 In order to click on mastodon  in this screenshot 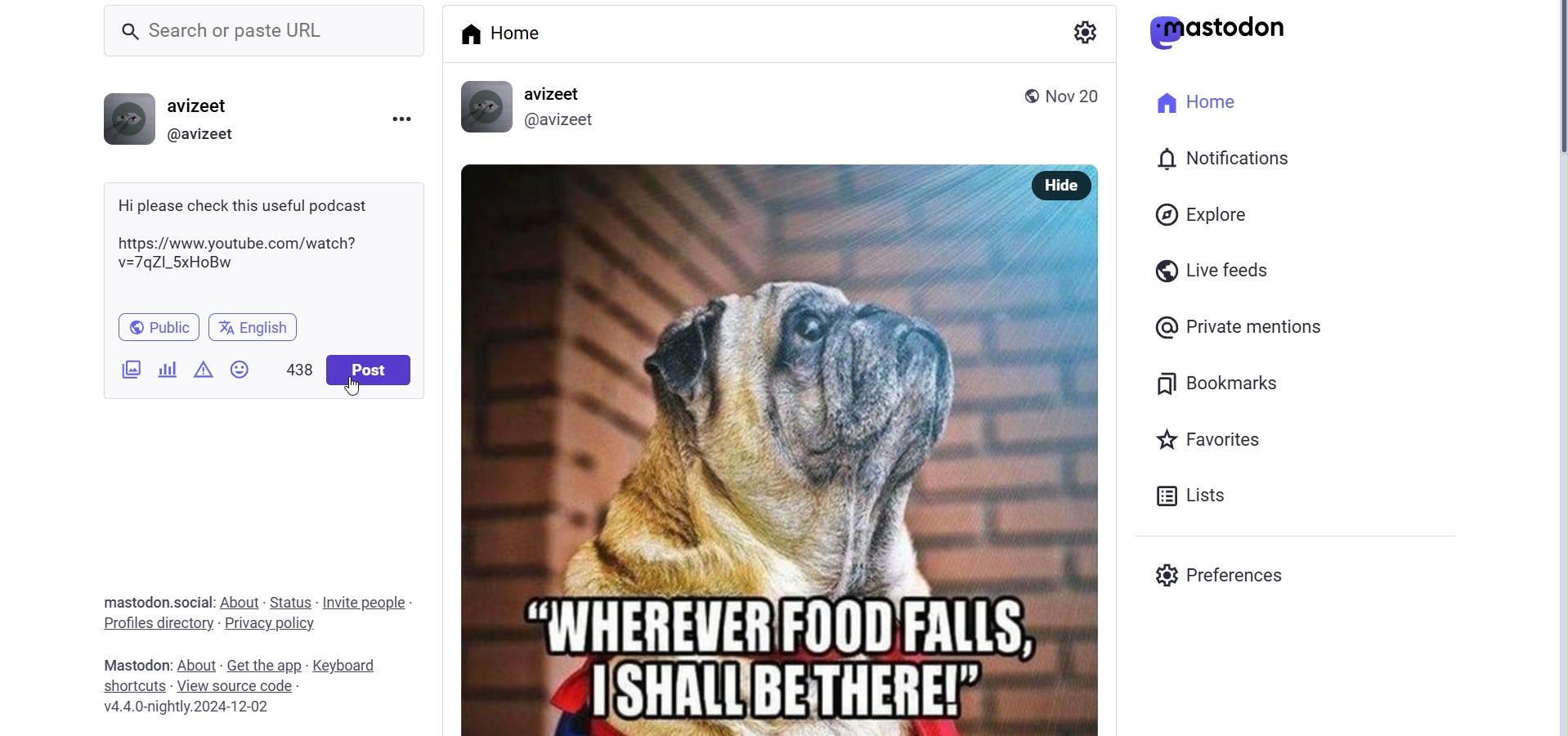, I will do `click(1226, 30)`.